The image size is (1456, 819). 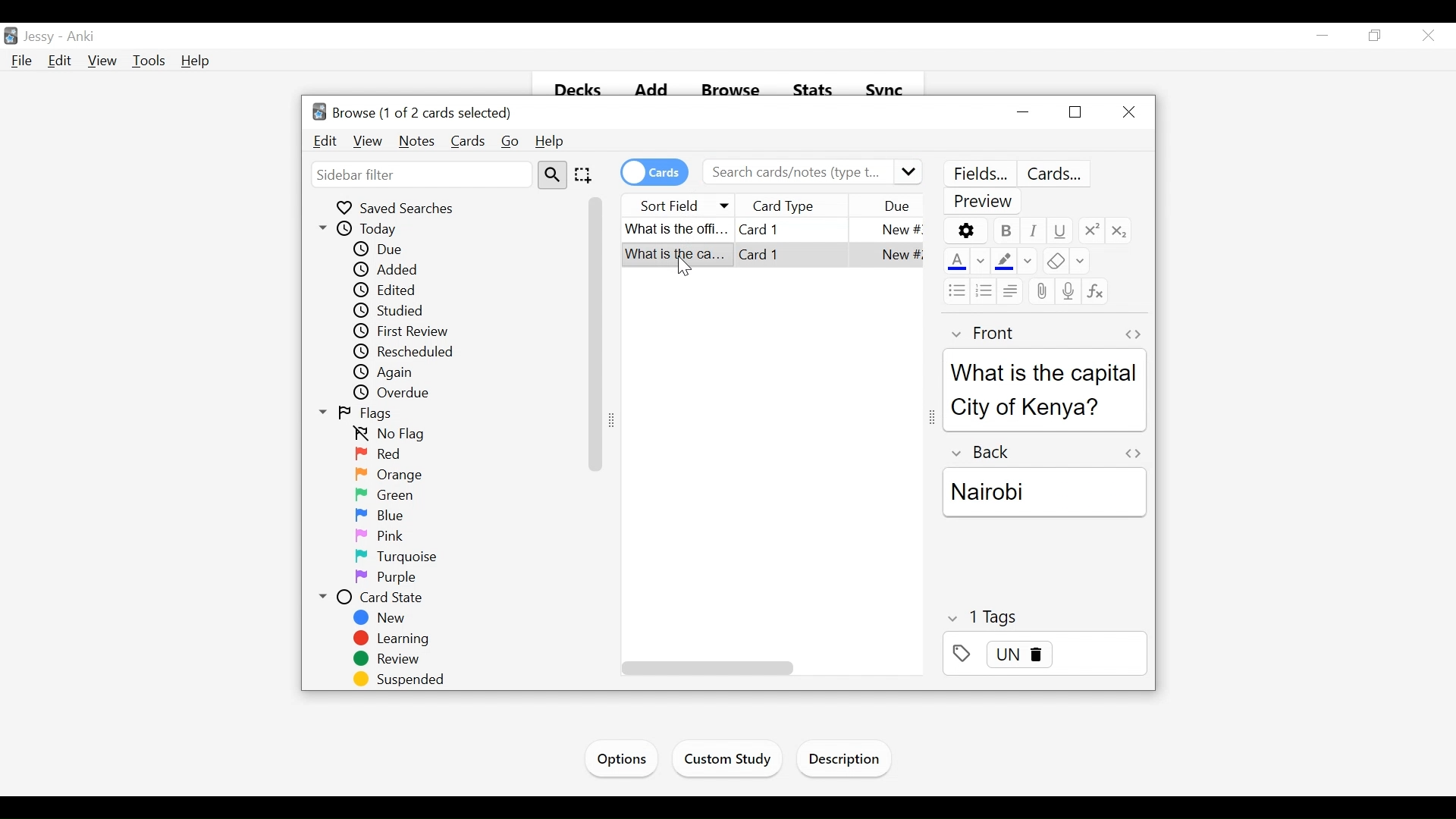 I want to click on Added, so click(x=391, y=269).